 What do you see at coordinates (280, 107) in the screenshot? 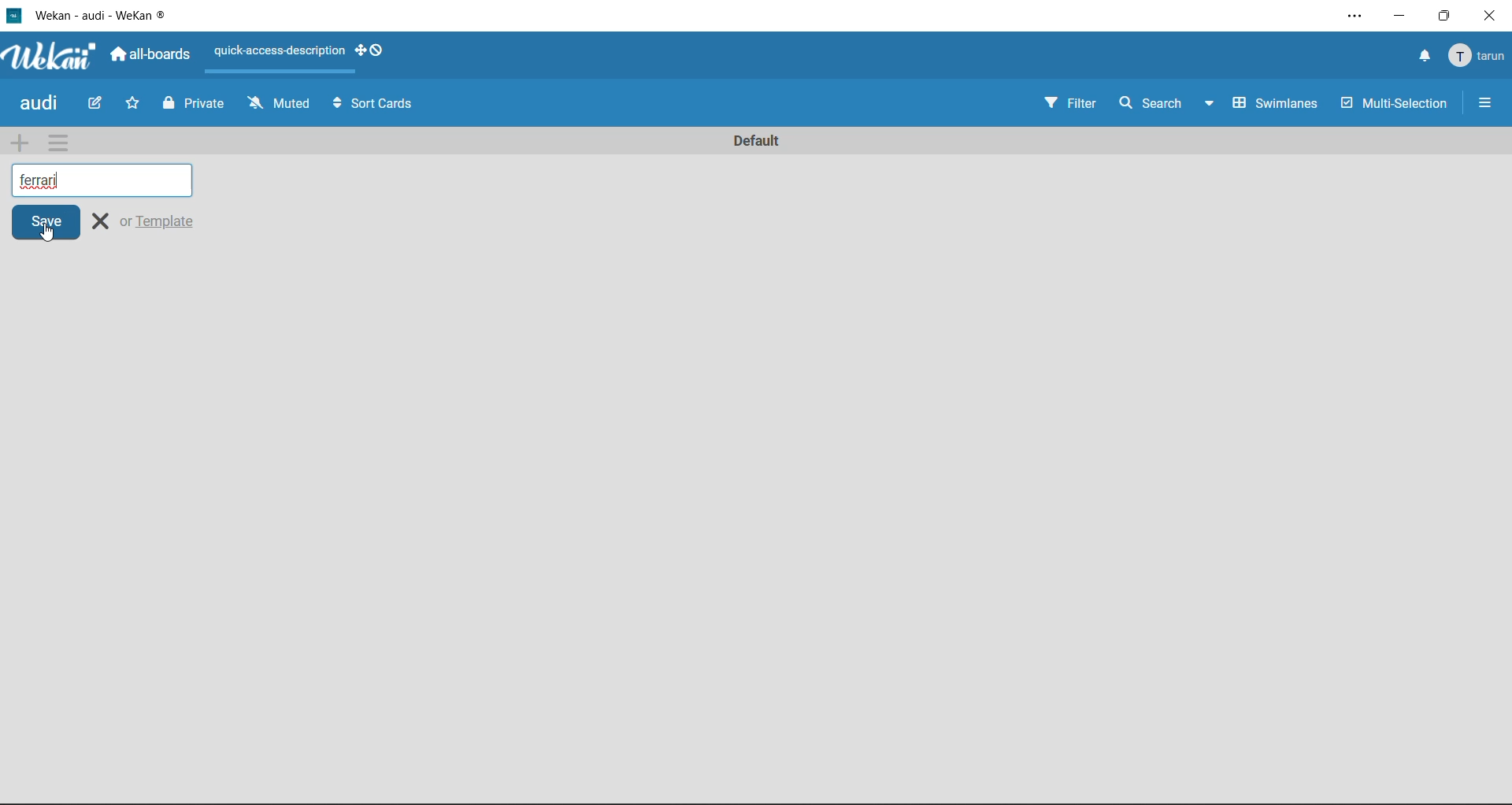
I see `muted` at bounding box center [280, 107].